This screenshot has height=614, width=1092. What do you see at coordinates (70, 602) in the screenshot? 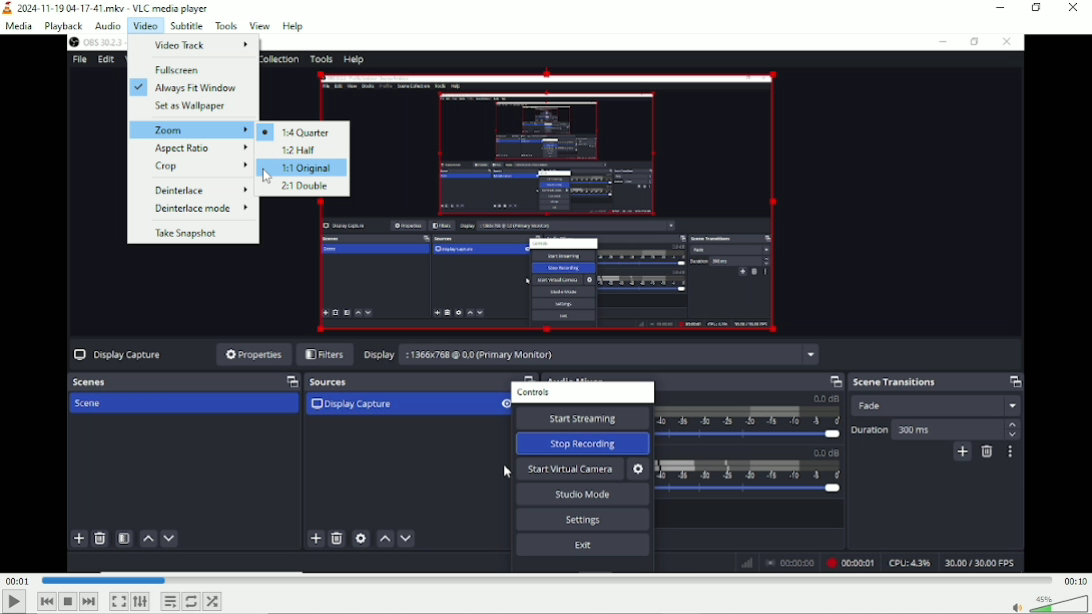
I see `Stop playlist` at bounding box center [70, 602].